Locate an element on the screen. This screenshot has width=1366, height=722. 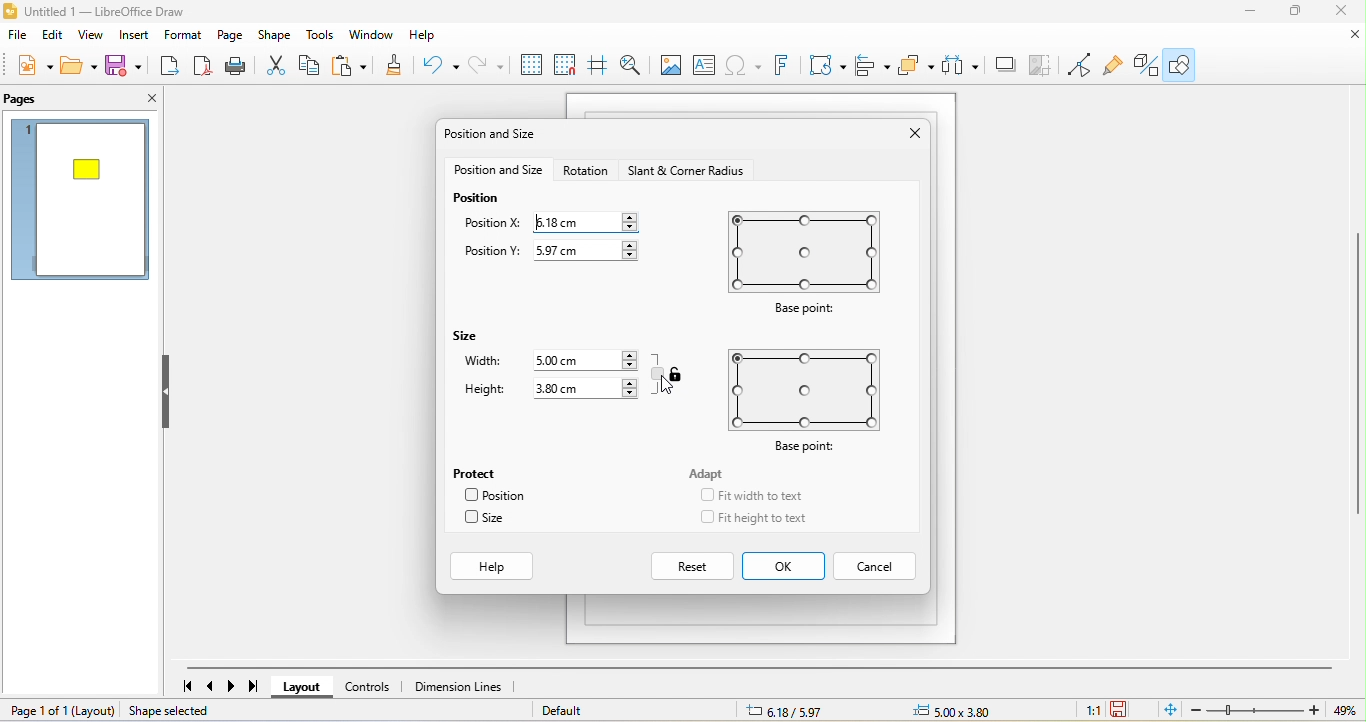
cancel is located at coordinates (874, 565).